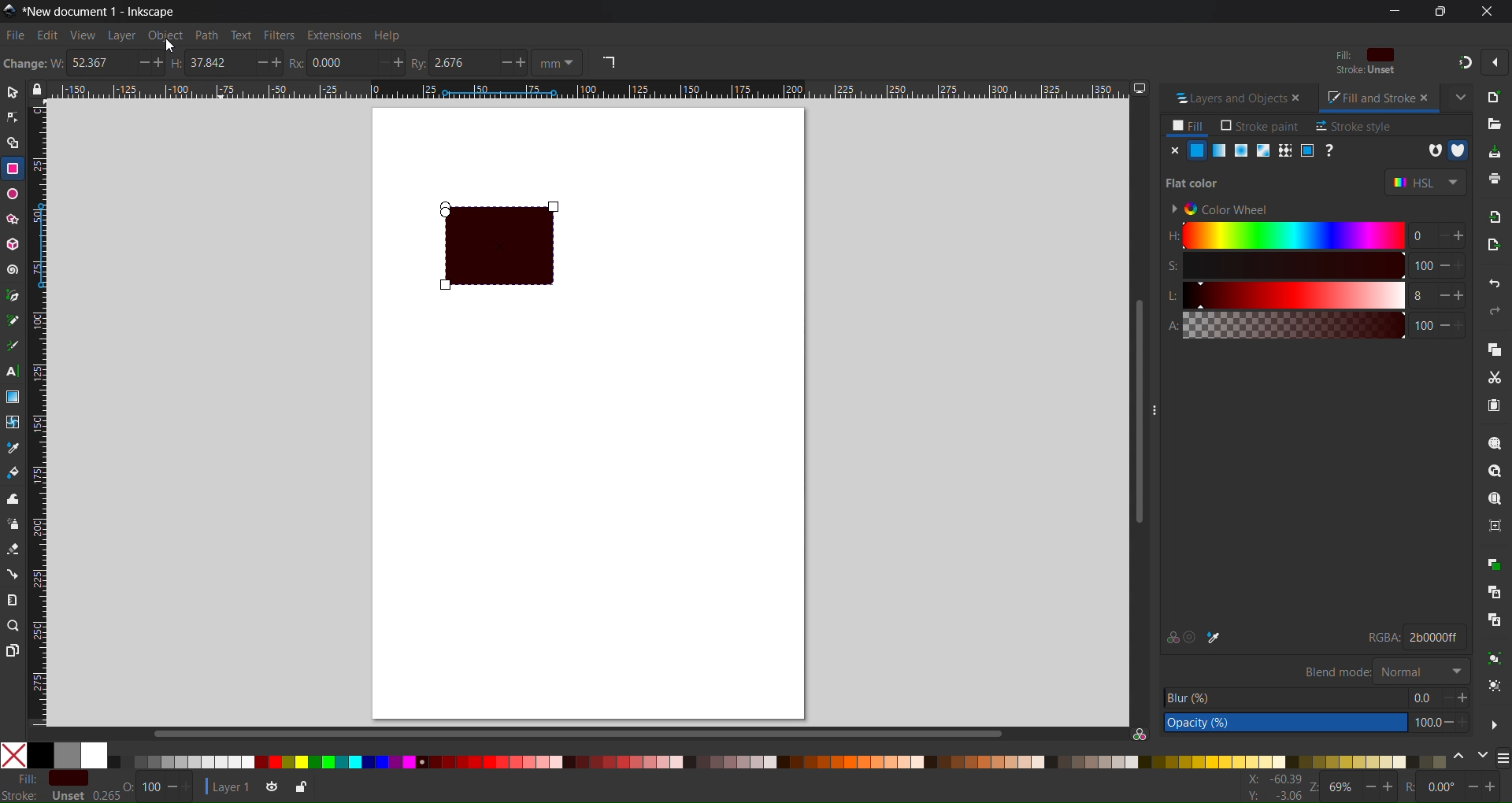 This screenshot has width=1512, height=803. I want to click on Unset stroke, so click(1365, 72).